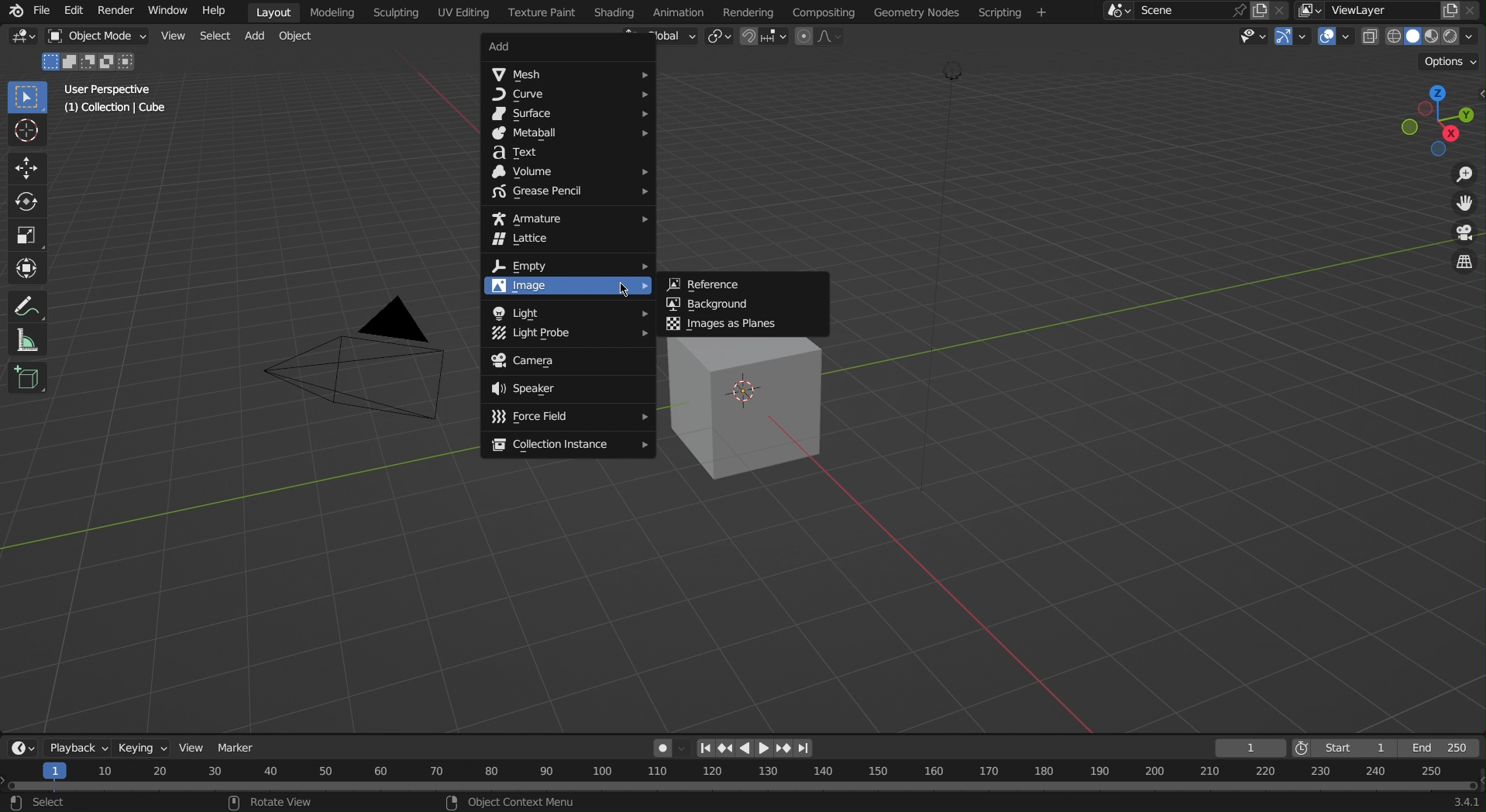 Image resolution: width=1486 pixels, height=812 pixels. I want to click on Cursor at Image, so click(624, 287).